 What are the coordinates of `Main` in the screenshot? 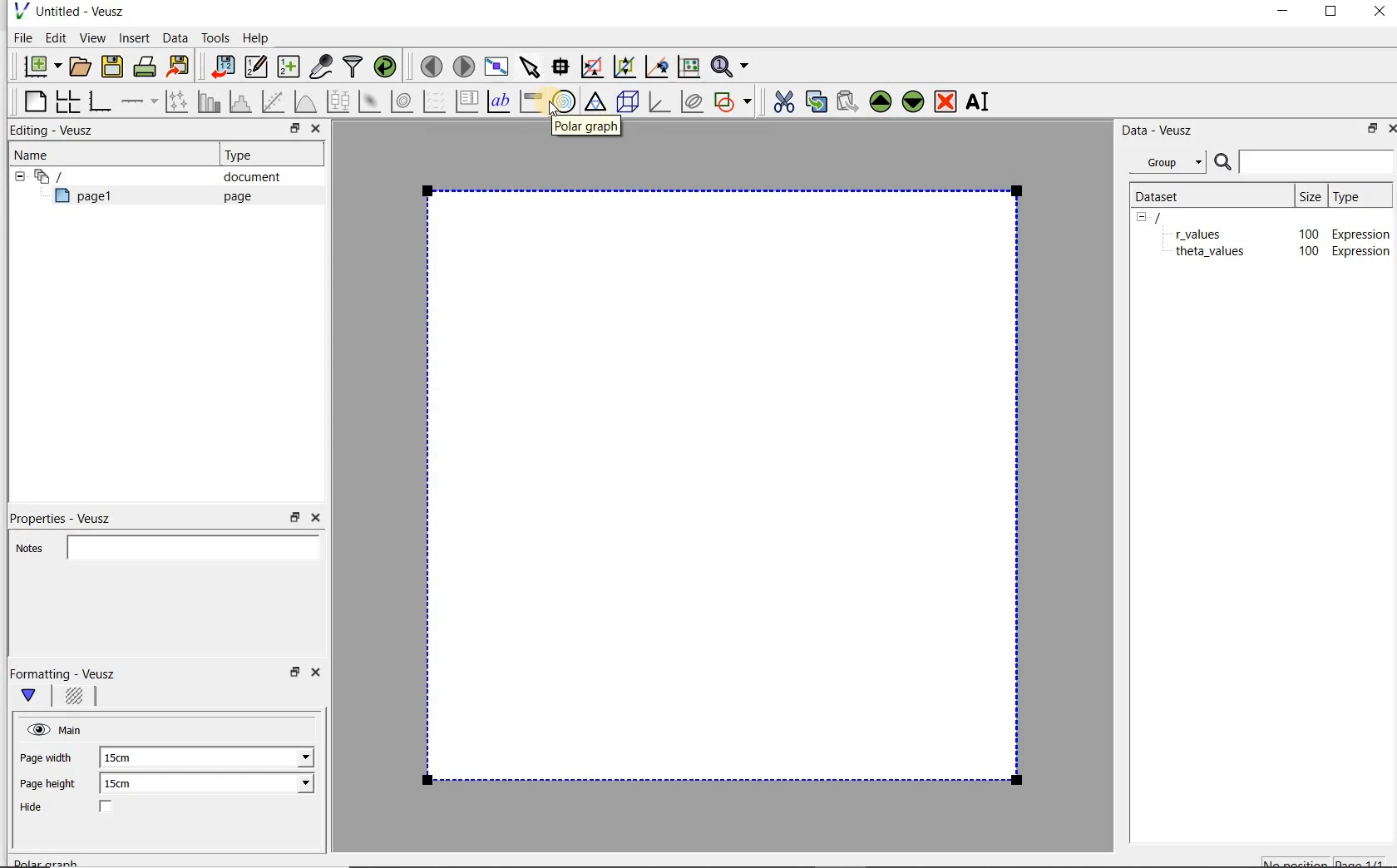 It's located at (73, 728).